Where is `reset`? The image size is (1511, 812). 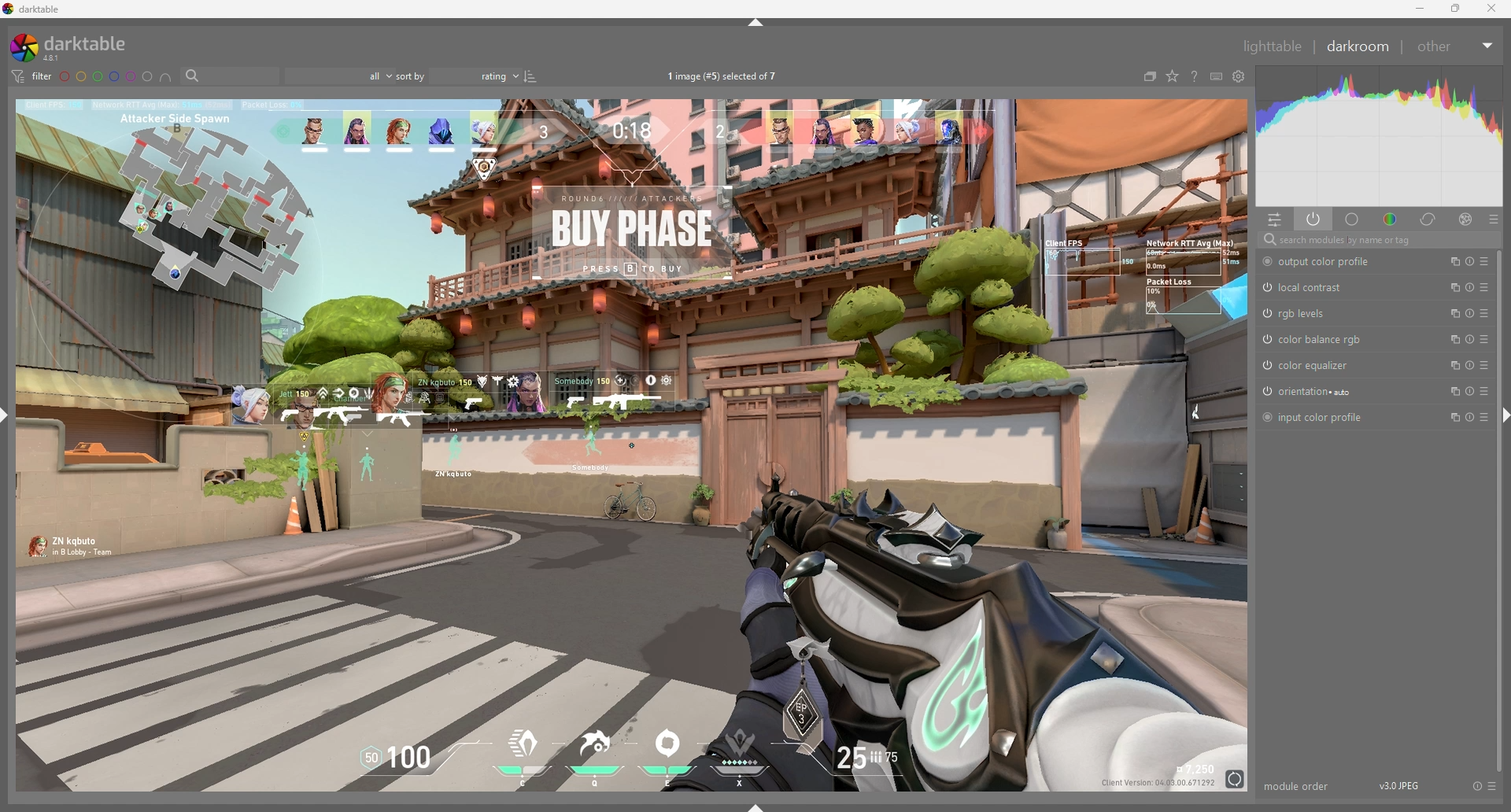 reset is located at coordinates (1471, 391).